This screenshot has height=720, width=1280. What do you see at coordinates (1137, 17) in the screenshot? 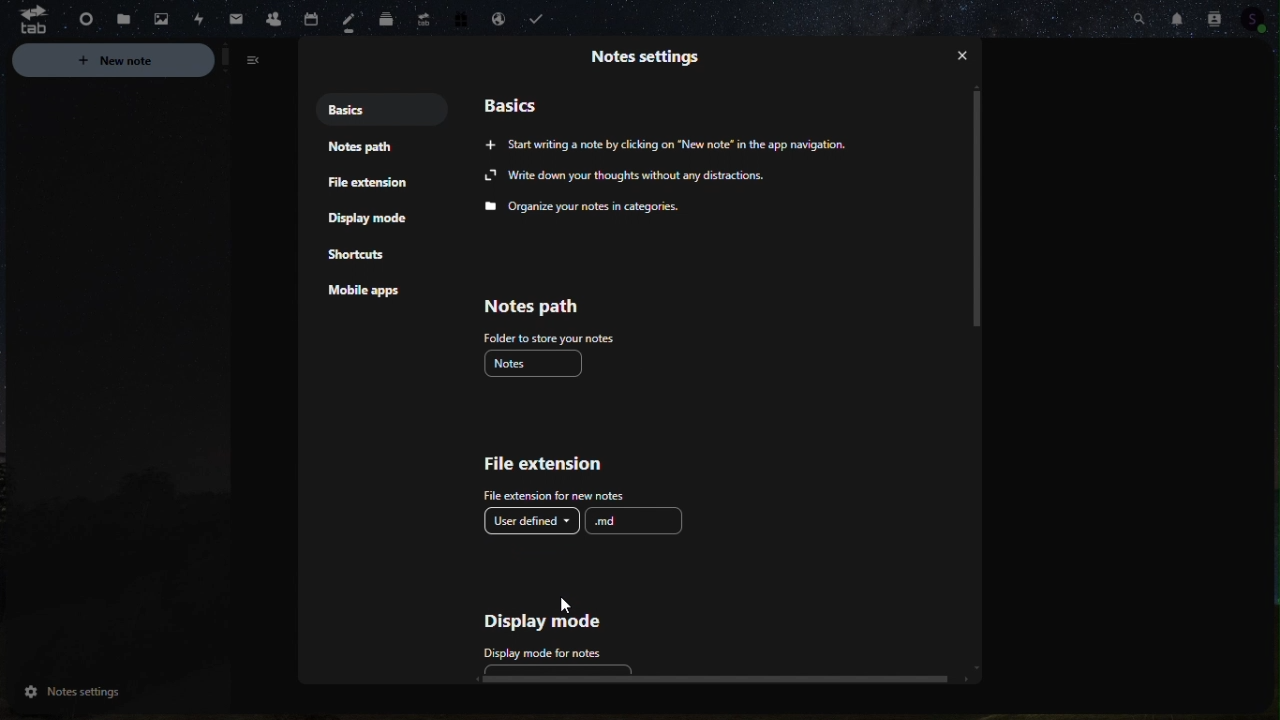
I see `Search bar` at bounding box center [1137, 17].